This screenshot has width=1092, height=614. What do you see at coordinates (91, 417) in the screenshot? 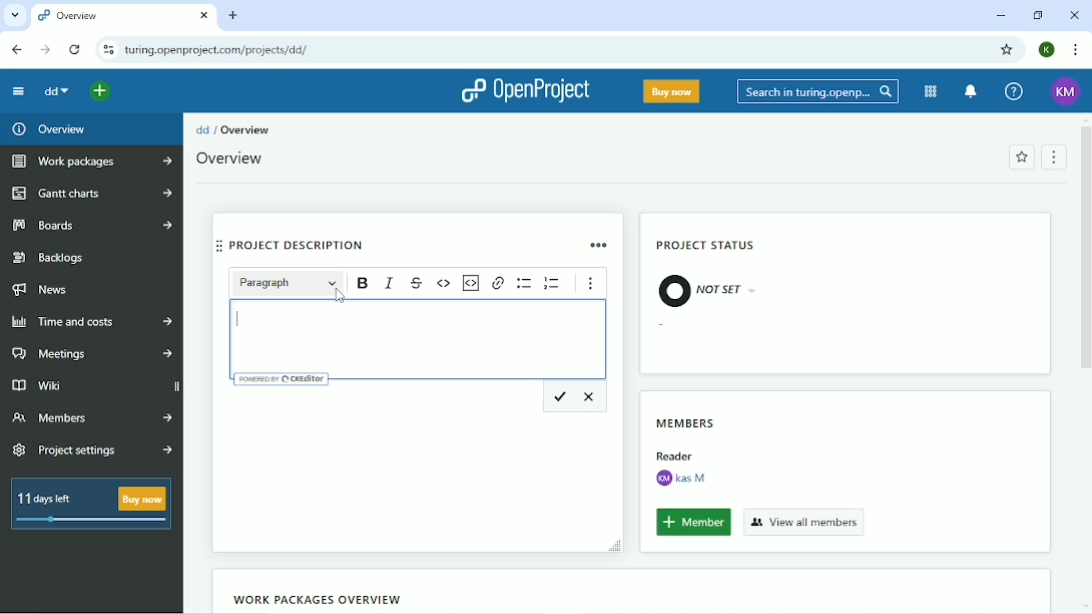
I see `Members` at bounding box center [91, 417].